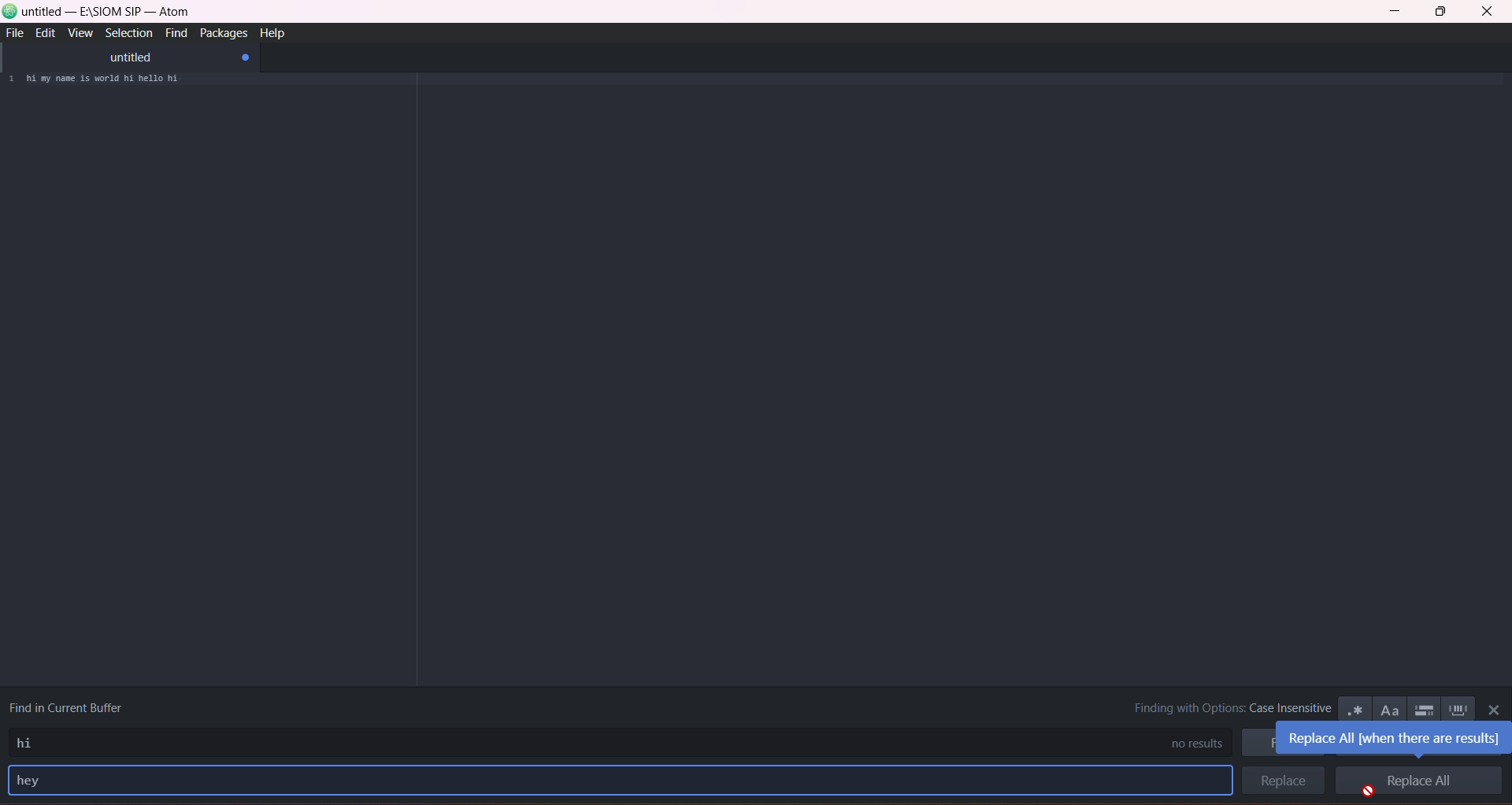 This screenshot has width=1512, height=805. What do you see at coordinates (1487, 13) in the screenshot?
I see `close` at bounding box center [1487, 13].